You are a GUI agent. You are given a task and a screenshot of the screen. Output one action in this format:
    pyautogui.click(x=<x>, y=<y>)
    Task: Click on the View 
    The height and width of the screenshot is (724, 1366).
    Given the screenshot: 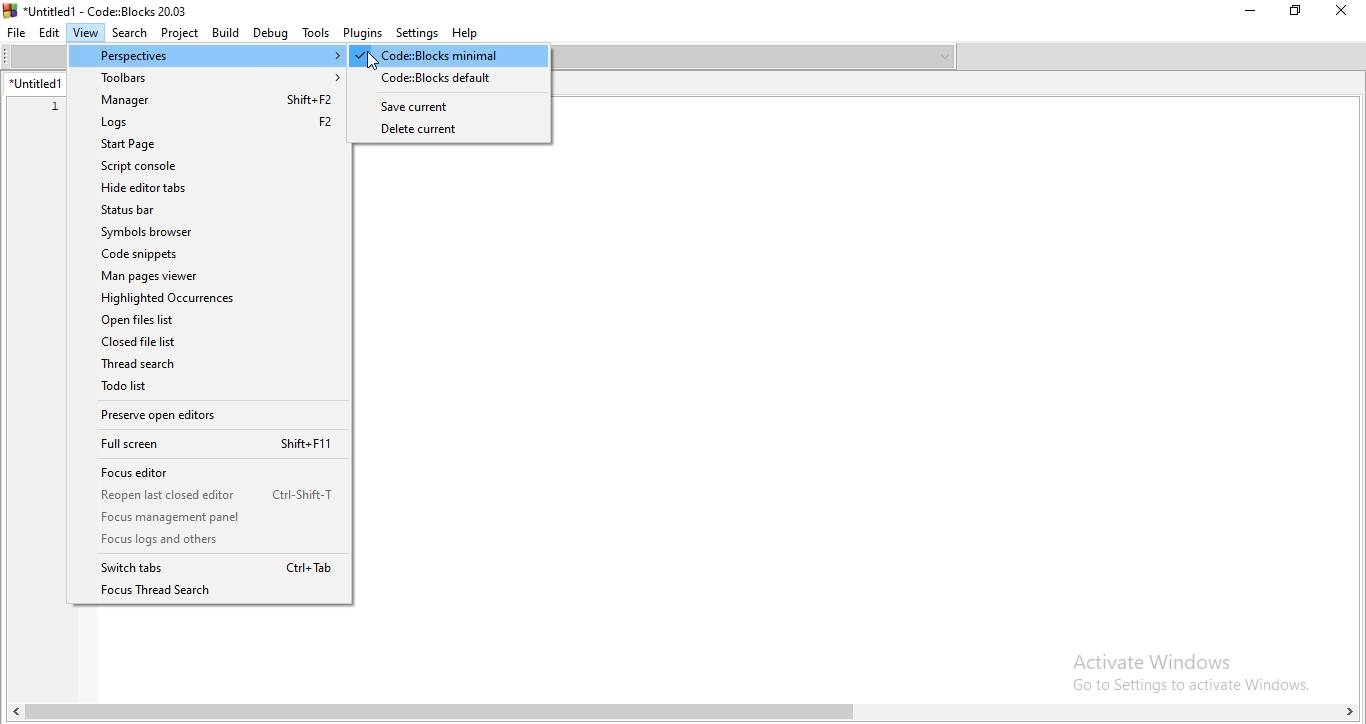 What is the action you would take?
    pyautogui.click(x=86, y=33)
    